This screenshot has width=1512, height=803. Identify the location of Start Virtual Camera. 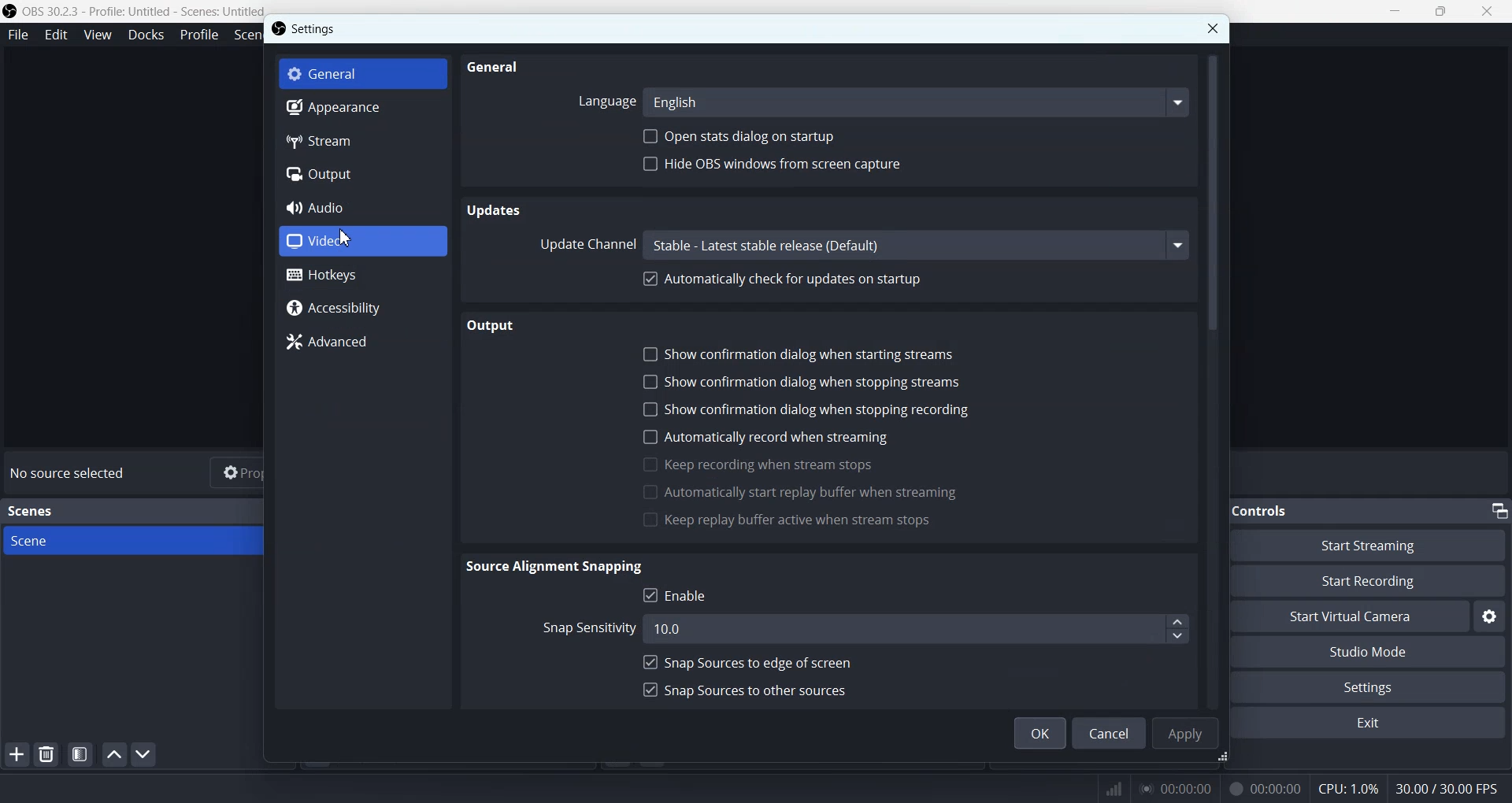
(1358, 616).